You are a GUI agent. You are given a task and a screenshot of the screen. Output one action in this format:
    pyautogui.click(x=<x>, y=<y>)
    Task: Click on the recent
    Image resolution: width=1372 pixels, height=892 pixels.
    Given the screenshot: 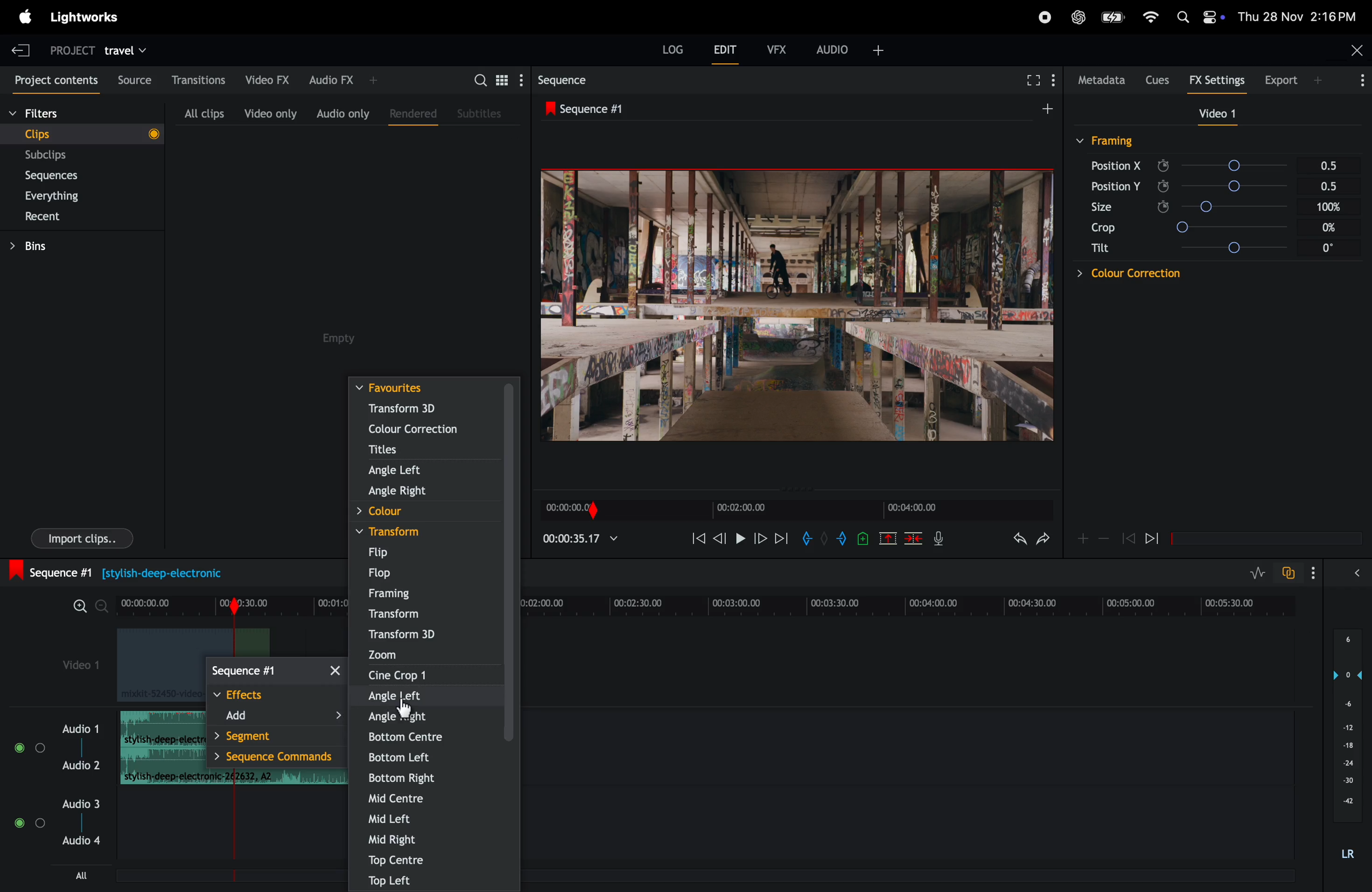 What is the action you would take?
    pyautogui.click(x=44, y=218)
    